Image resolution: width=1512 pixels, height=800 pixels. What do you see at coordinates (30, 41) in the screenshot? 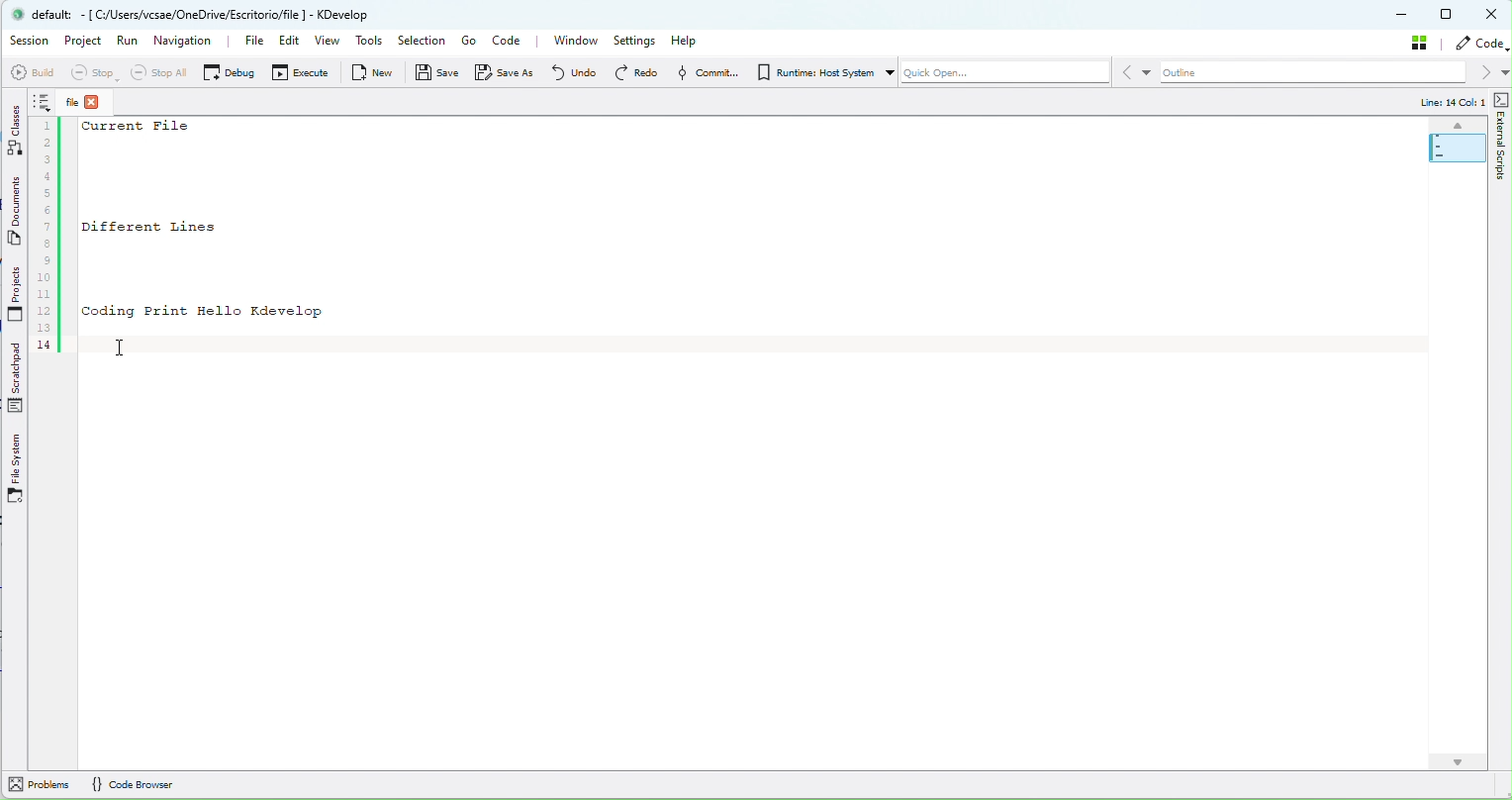
I see `Session` at bounding box center [30, 41].